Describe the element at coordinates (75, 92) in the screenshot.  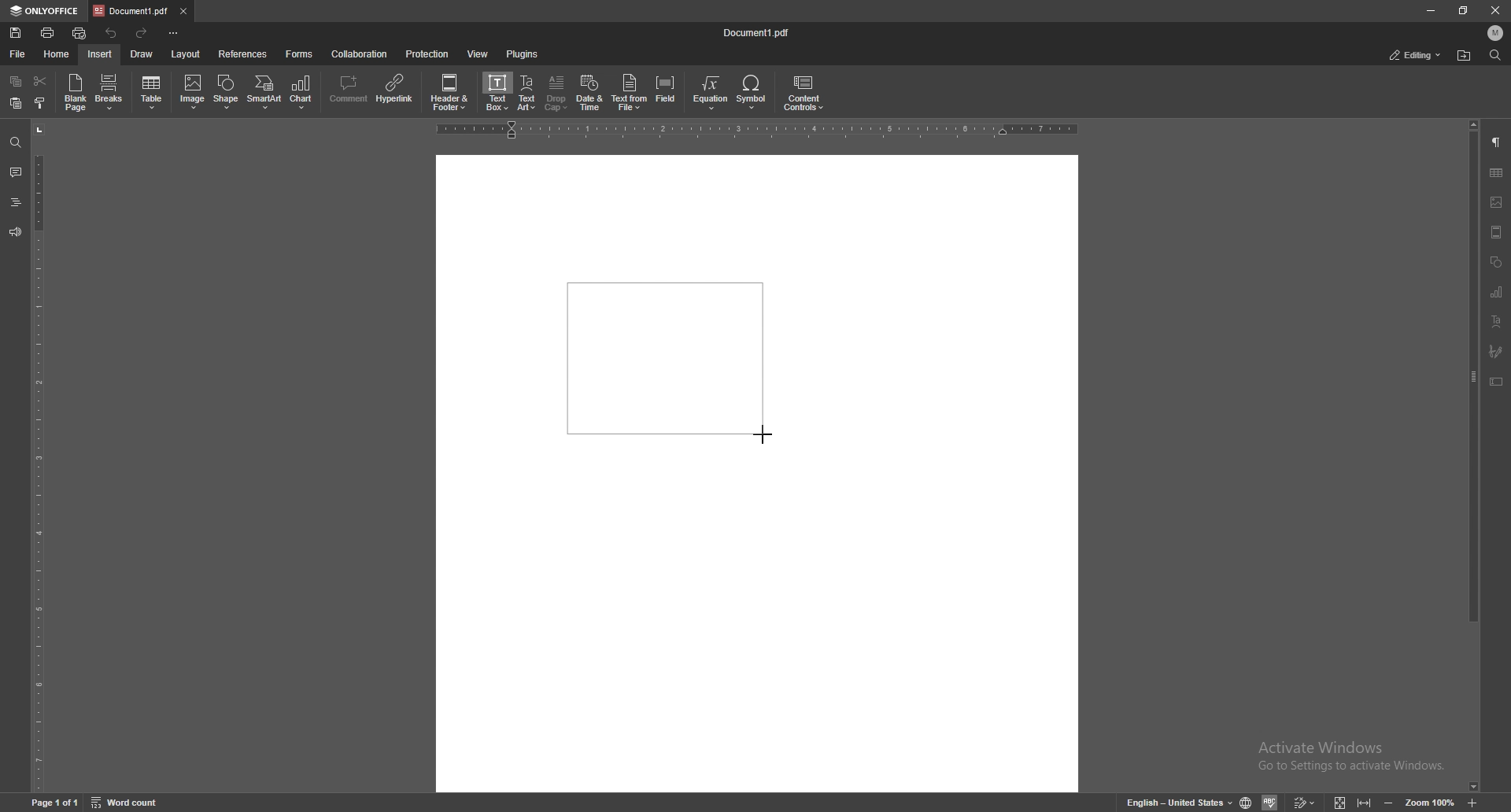
I see `blank page` at that location.